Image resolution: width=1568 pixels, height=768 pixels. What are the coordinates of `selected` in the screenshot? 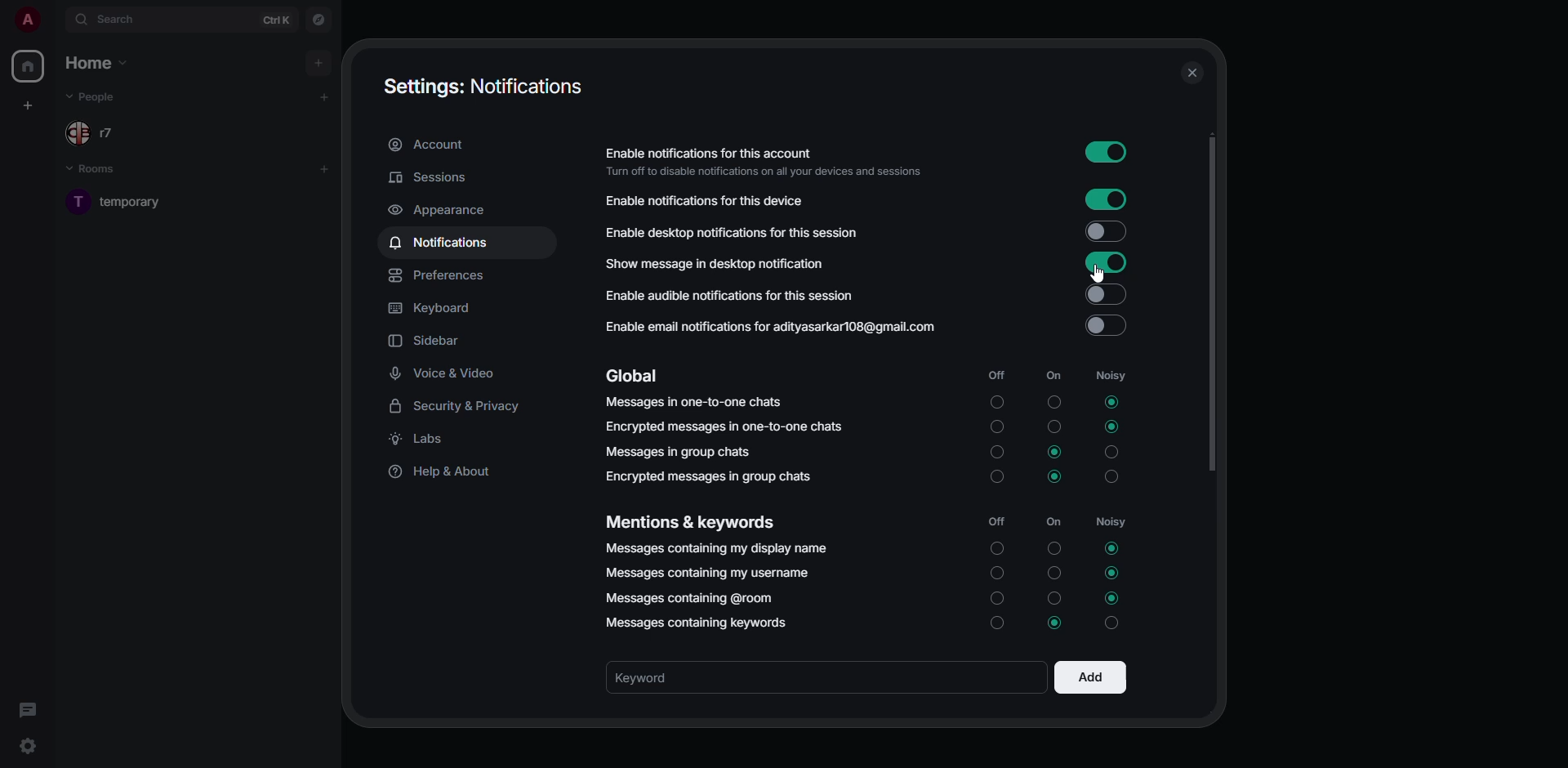 It's located at (1110, 599).